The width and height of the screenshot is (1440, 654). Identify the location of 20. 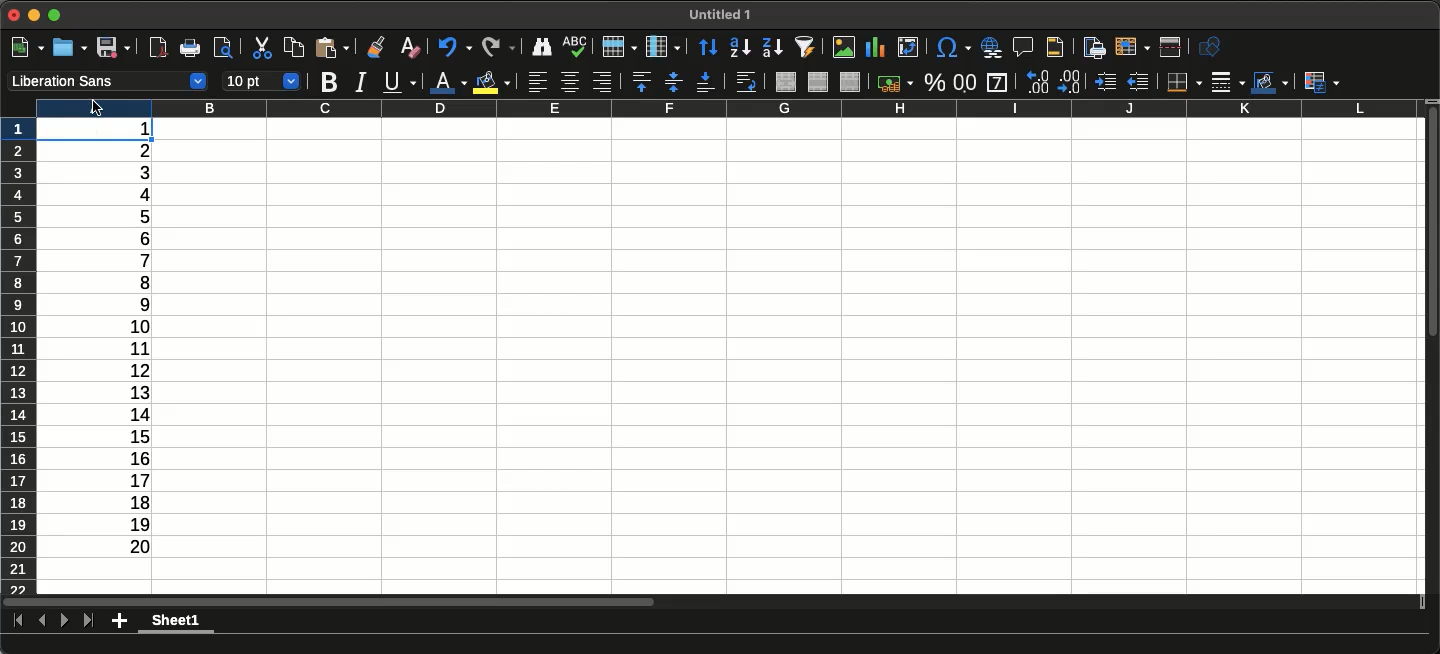
(131, 546).